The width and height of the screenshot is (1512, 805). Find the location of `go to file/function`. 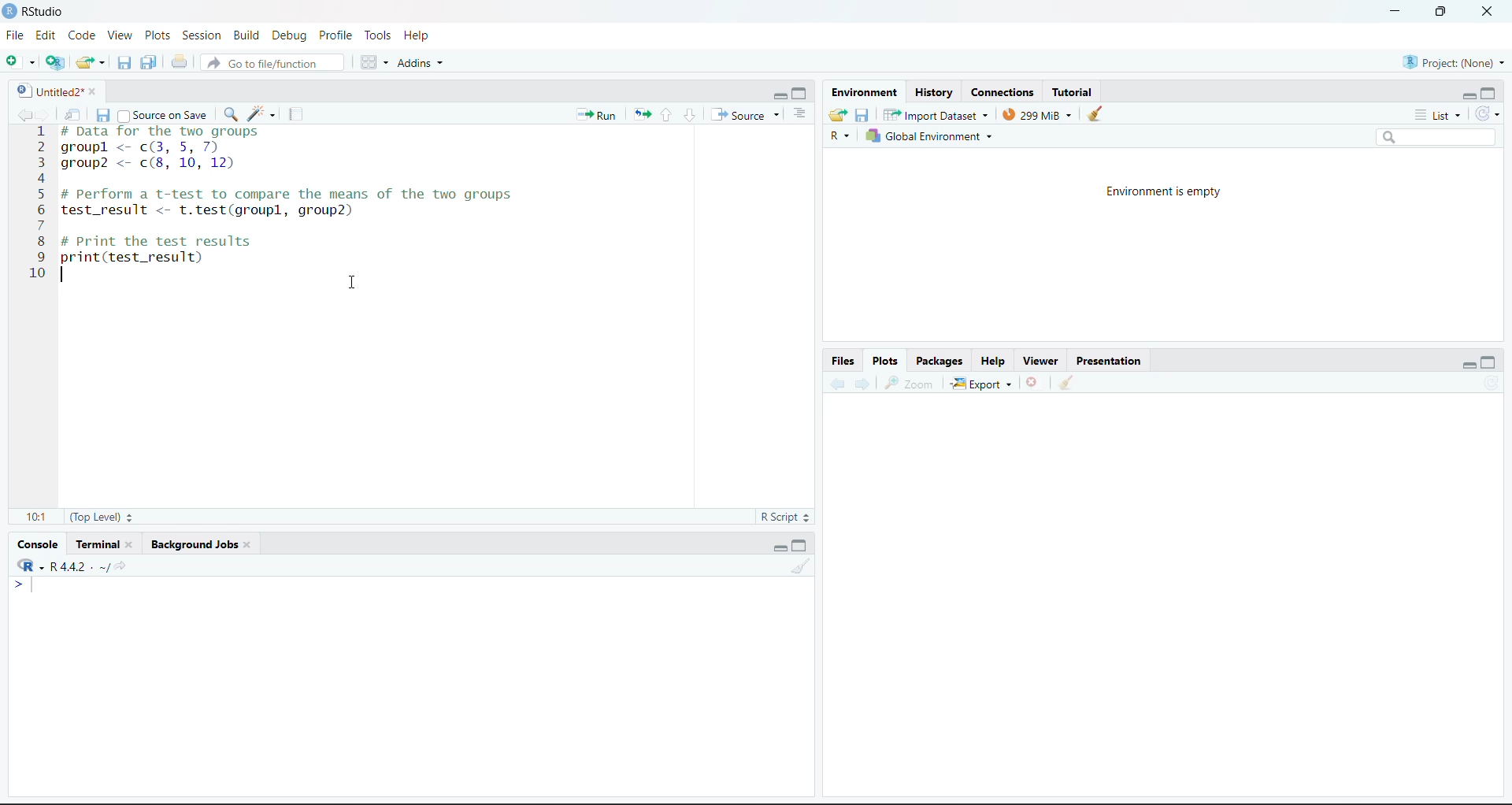

go to file/function is located at coordinates (271, 63).